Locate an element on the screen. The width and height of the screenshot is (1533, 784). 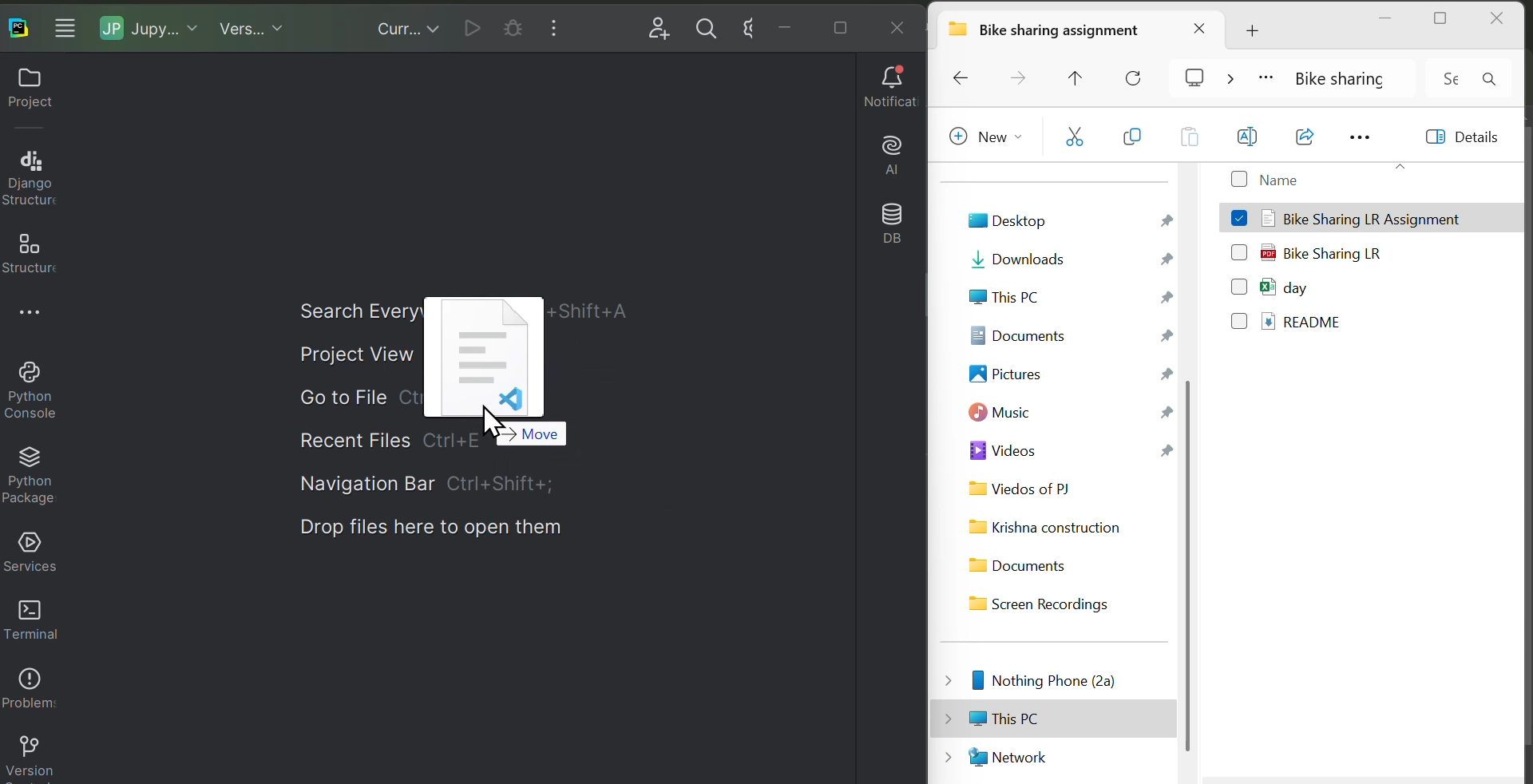
checkbox is located at coordinates (1239, 247).